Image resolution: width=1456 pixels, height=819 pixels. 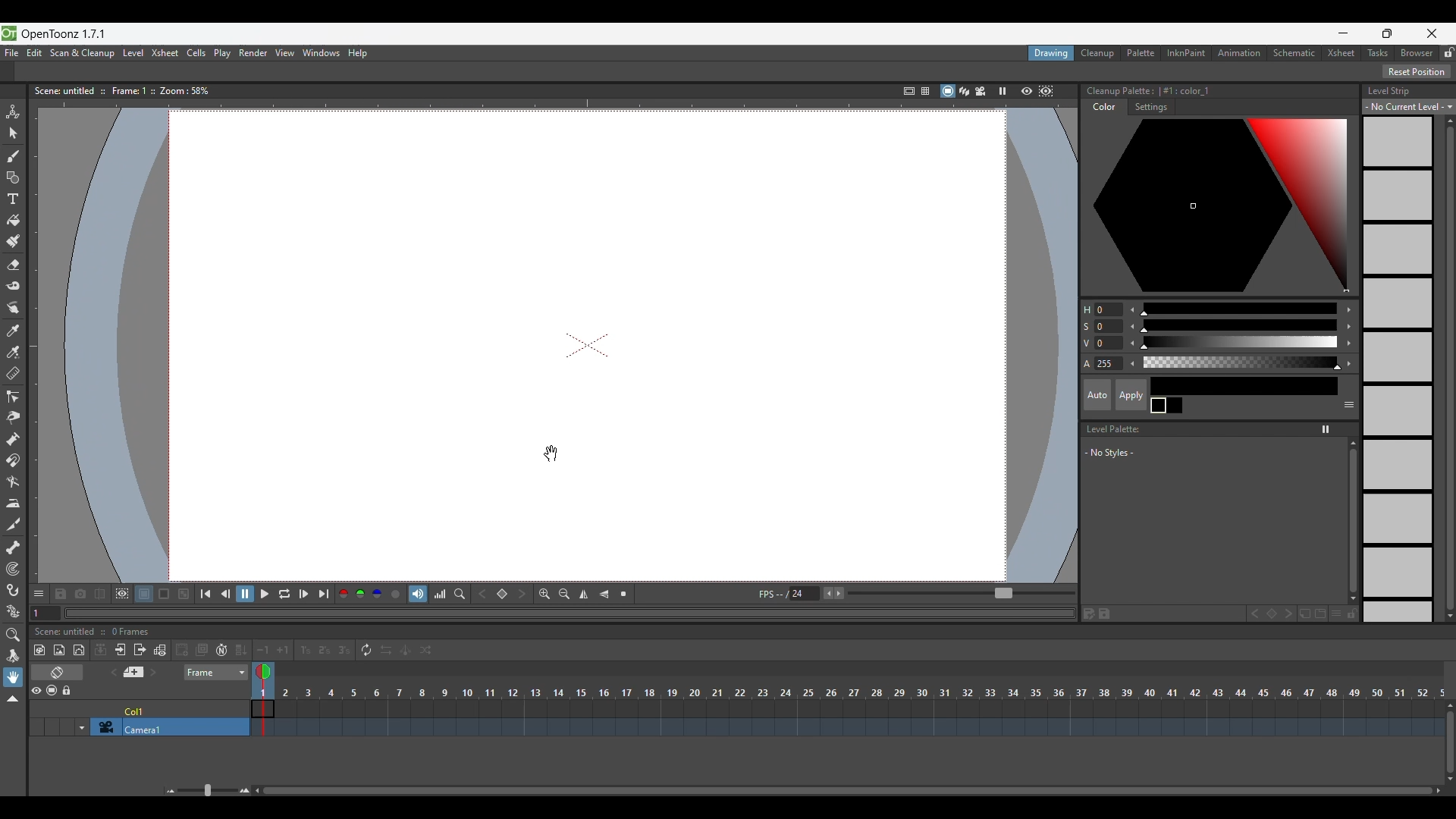 What do you see at coordinates (77, 690) in the screenshot?
I see `Lock toggle all` at bounding box center [77, 690].